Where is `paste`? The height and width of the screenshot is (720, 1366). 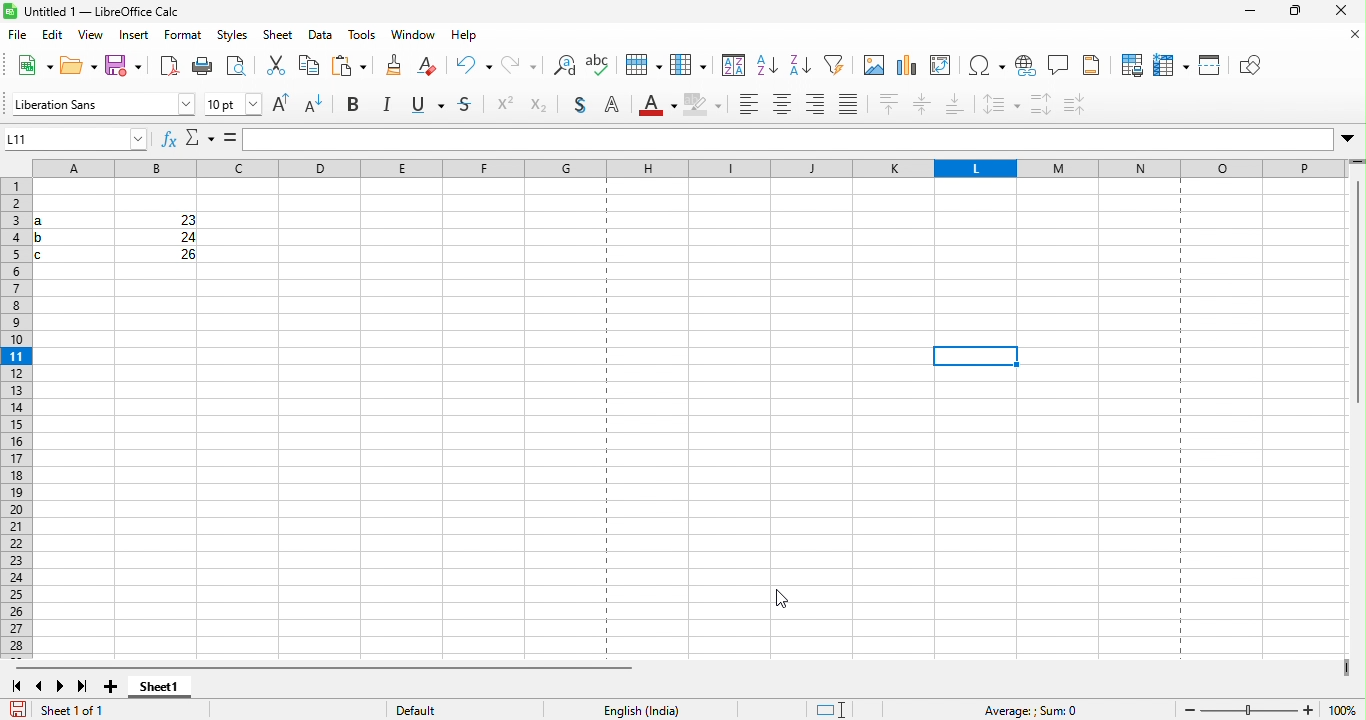 paste is located at coordinates (307, 68).